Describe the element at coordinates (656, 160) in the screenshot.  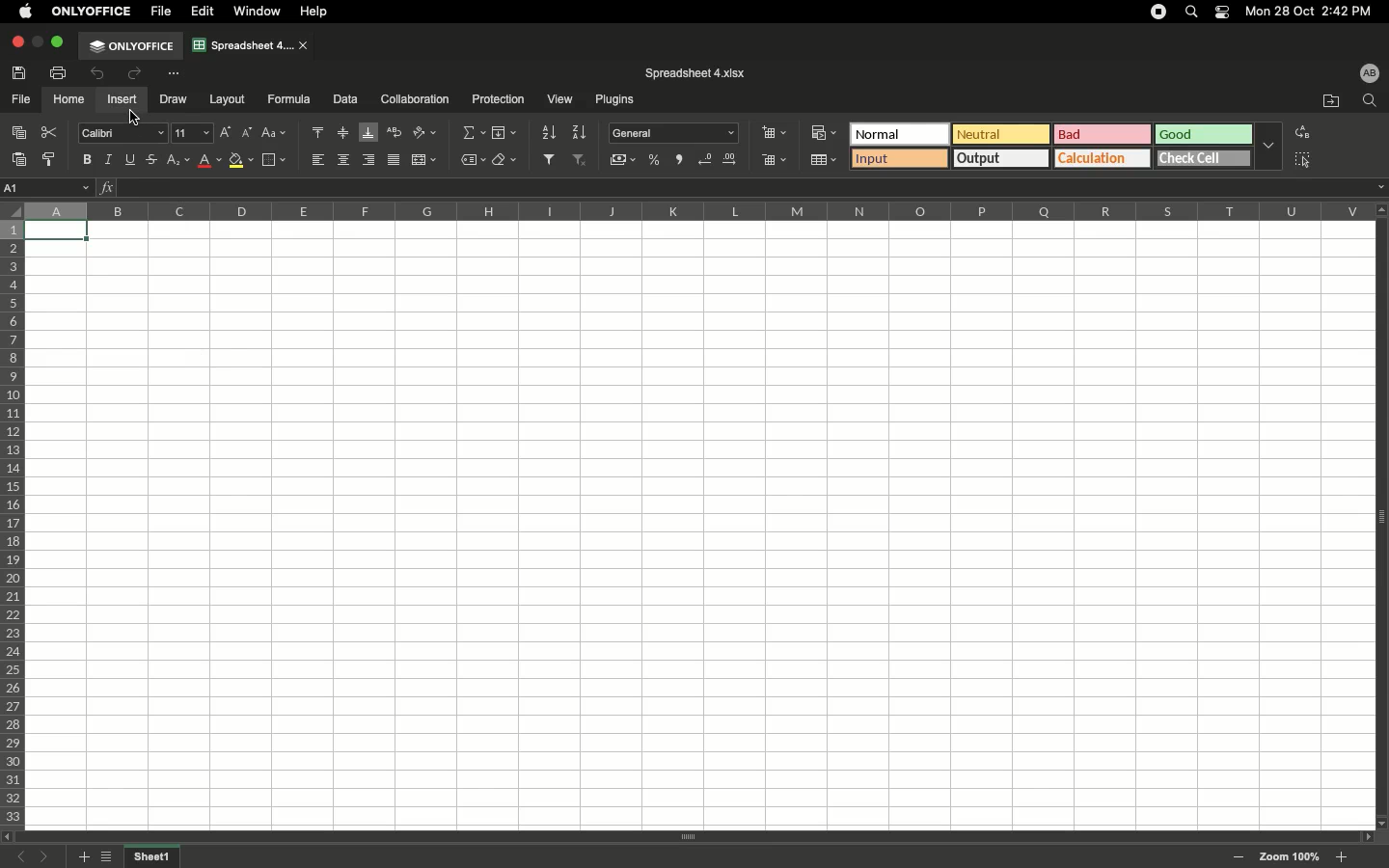
I see `Percent style` at that location.